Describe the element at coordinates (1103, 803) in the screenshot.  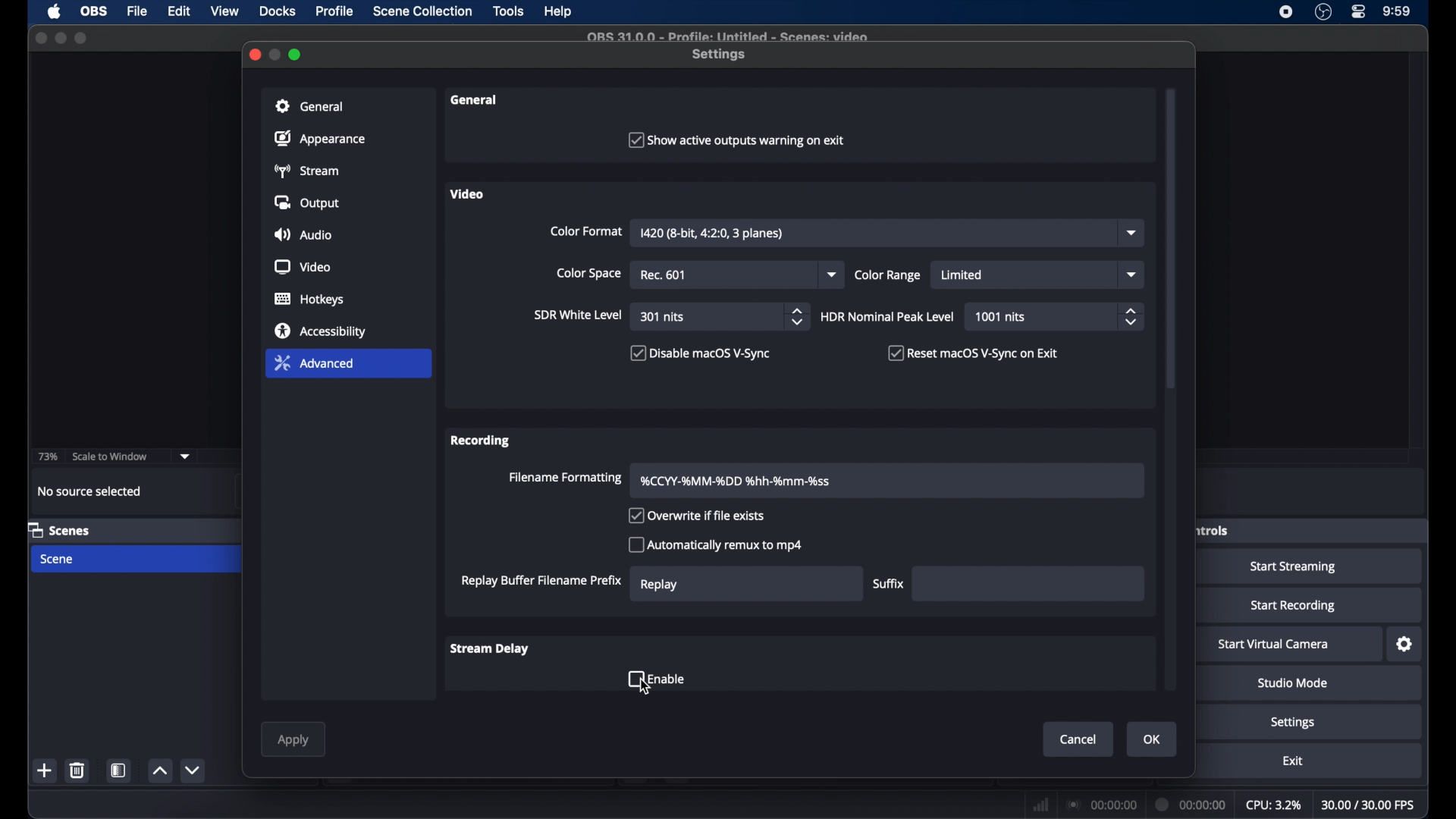
I see `connection` at that location.